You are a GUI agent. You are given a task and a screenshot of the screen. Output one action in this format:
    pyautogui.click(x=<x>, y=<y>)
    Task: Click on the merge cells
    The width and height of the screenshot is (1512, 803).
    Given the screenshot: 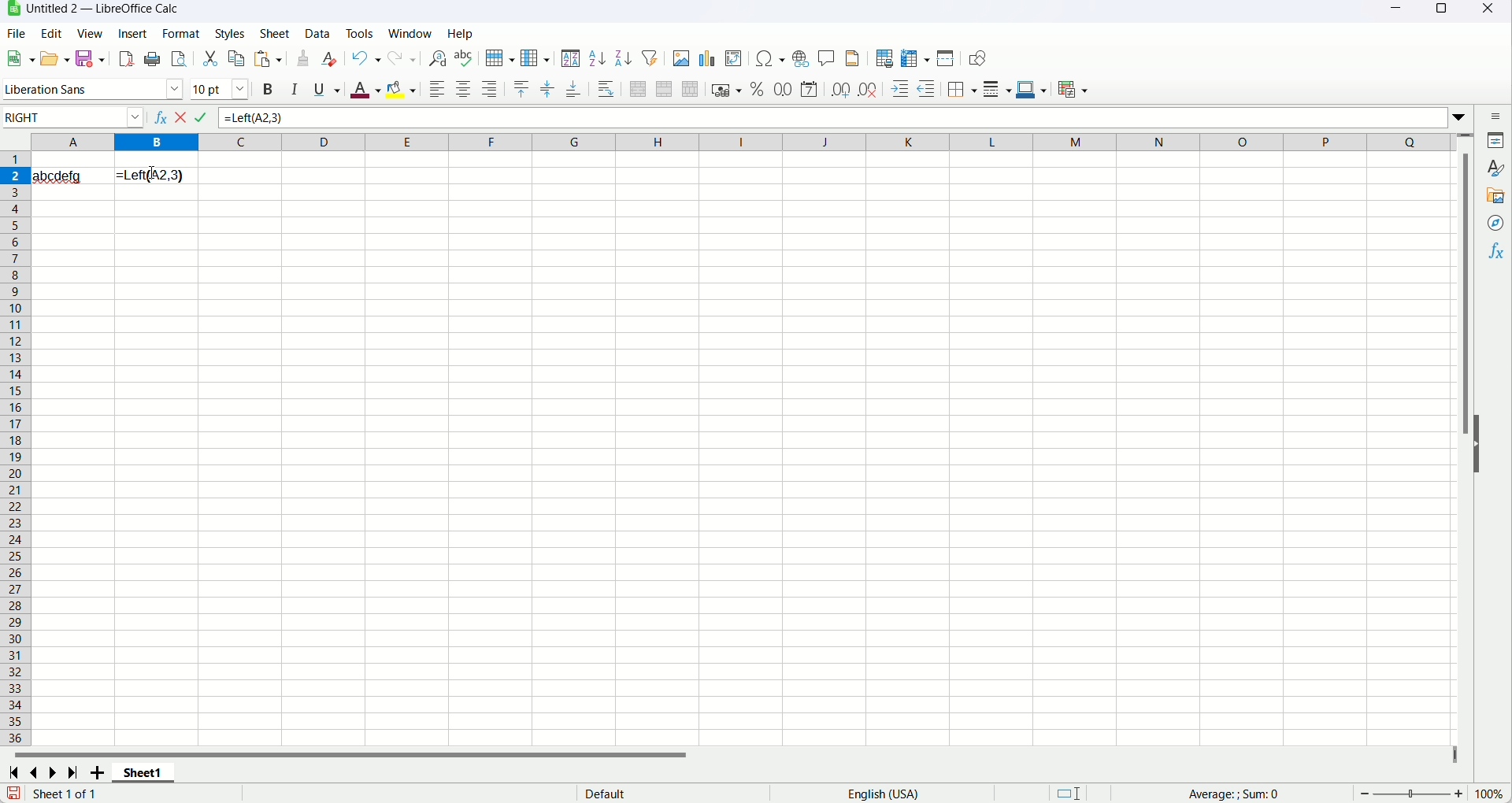 What is the action you would take?
    pyautogui.click(x=664, y=91)
    